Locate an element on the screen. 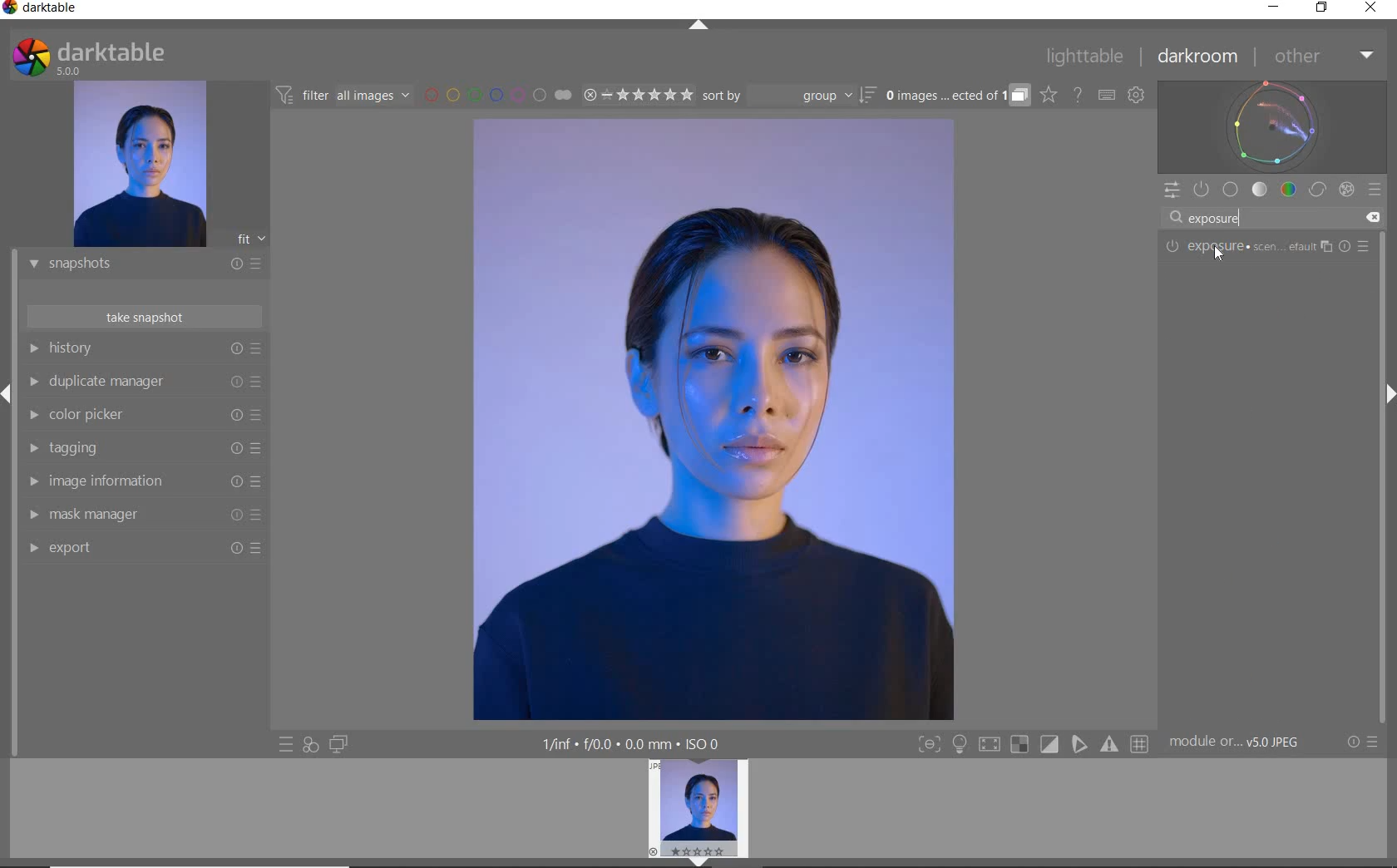 The width and height of the screenshot is (1397, 868). Button is located at coordinates (929, 746).